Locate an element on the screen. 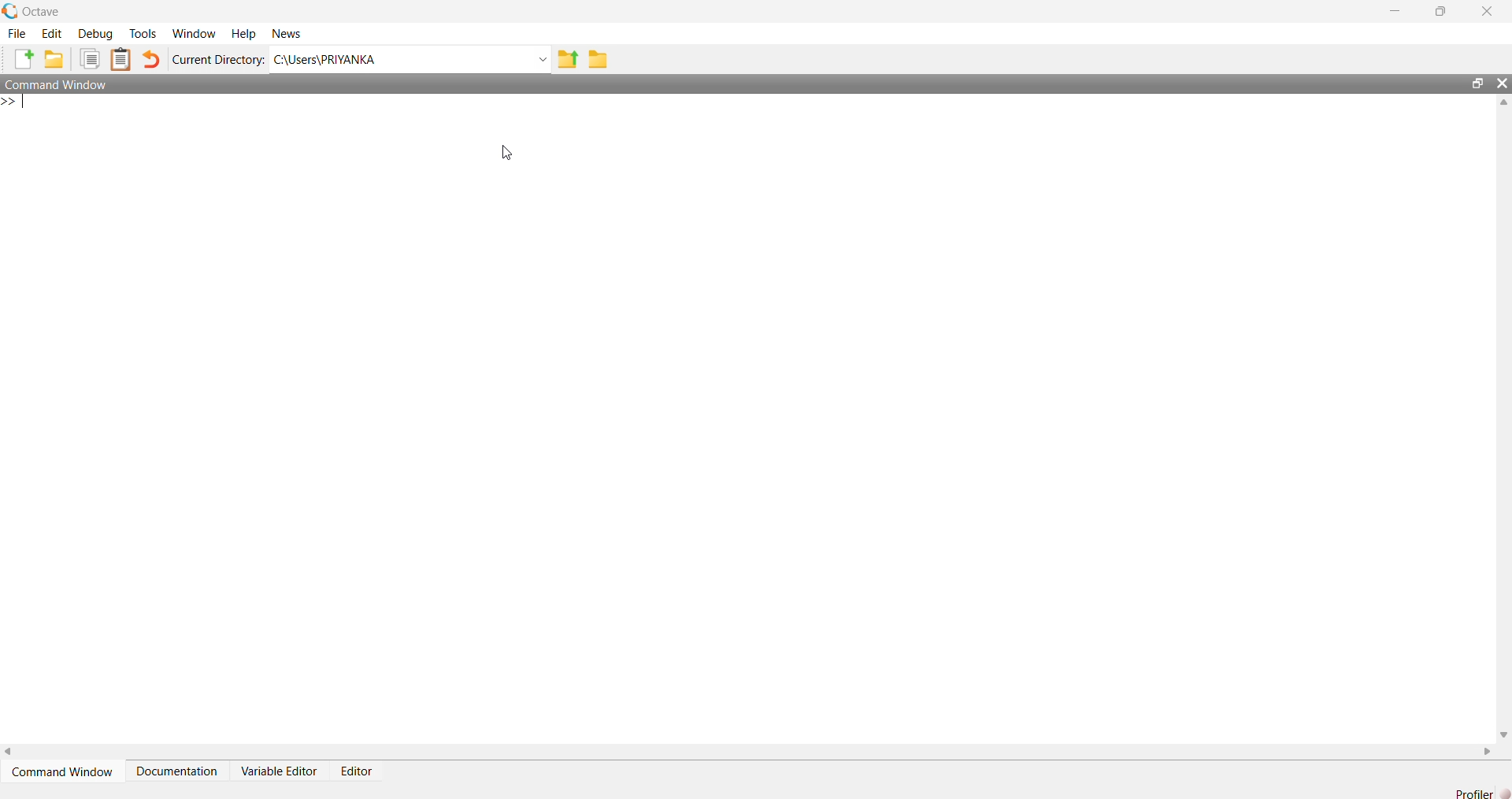 The image size is (1512, 799). File is located at coordinates (18, 33).